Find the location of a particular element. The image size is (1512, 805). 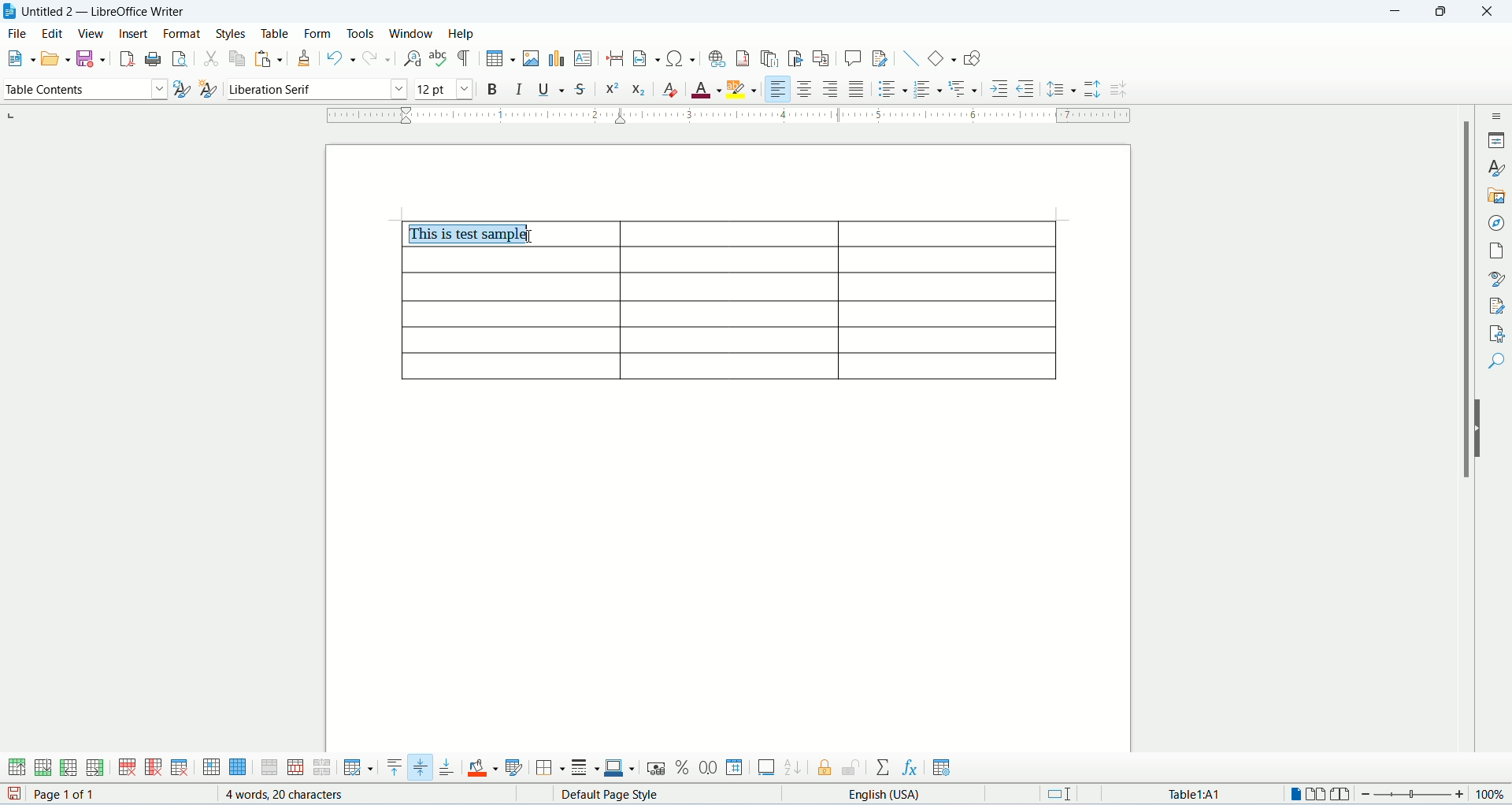

window is located at coordinates (413, 33).